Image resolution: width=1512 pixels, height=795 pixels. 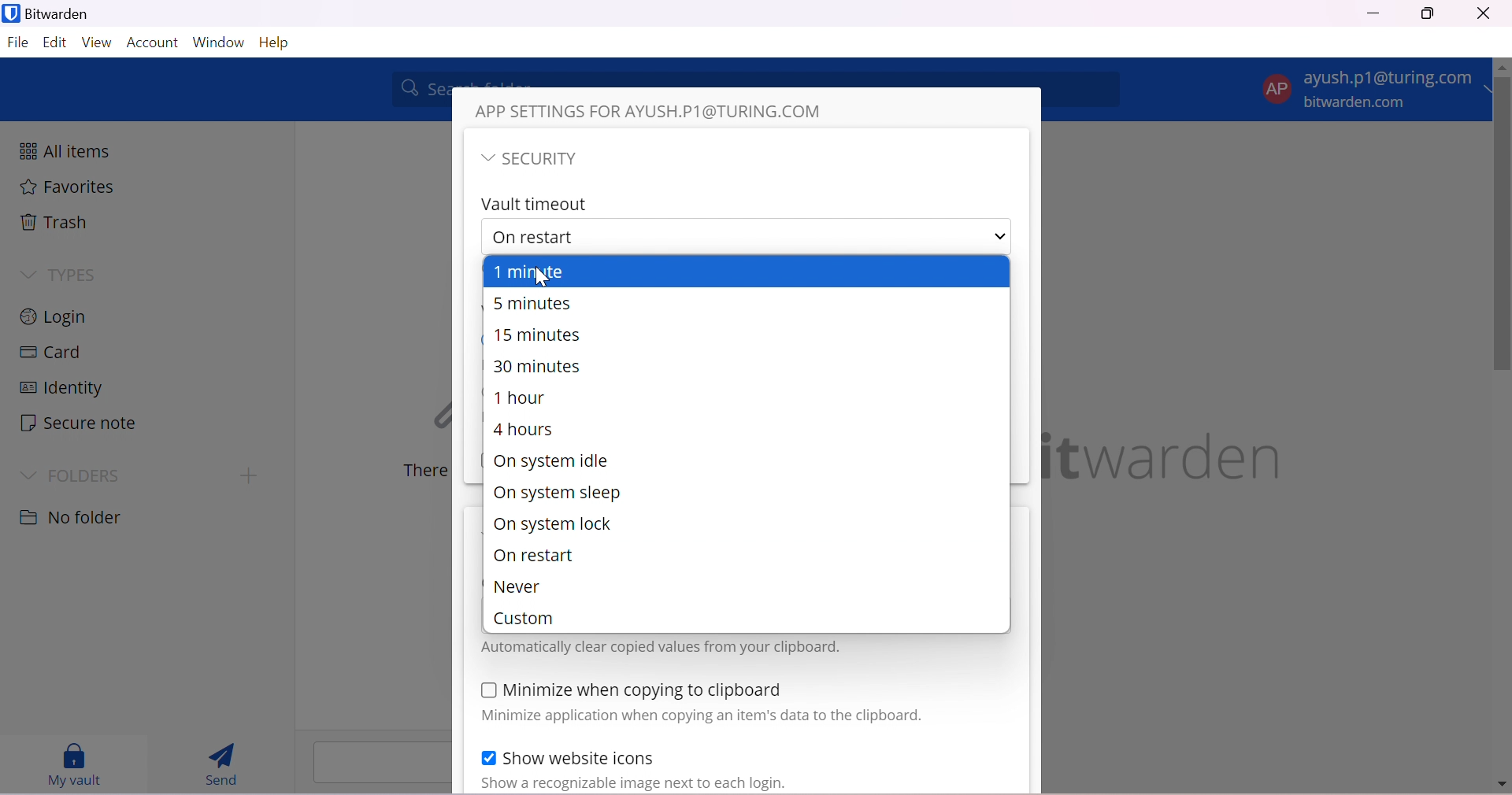 I want to click on Drop Down, so click(x=31, y=476).